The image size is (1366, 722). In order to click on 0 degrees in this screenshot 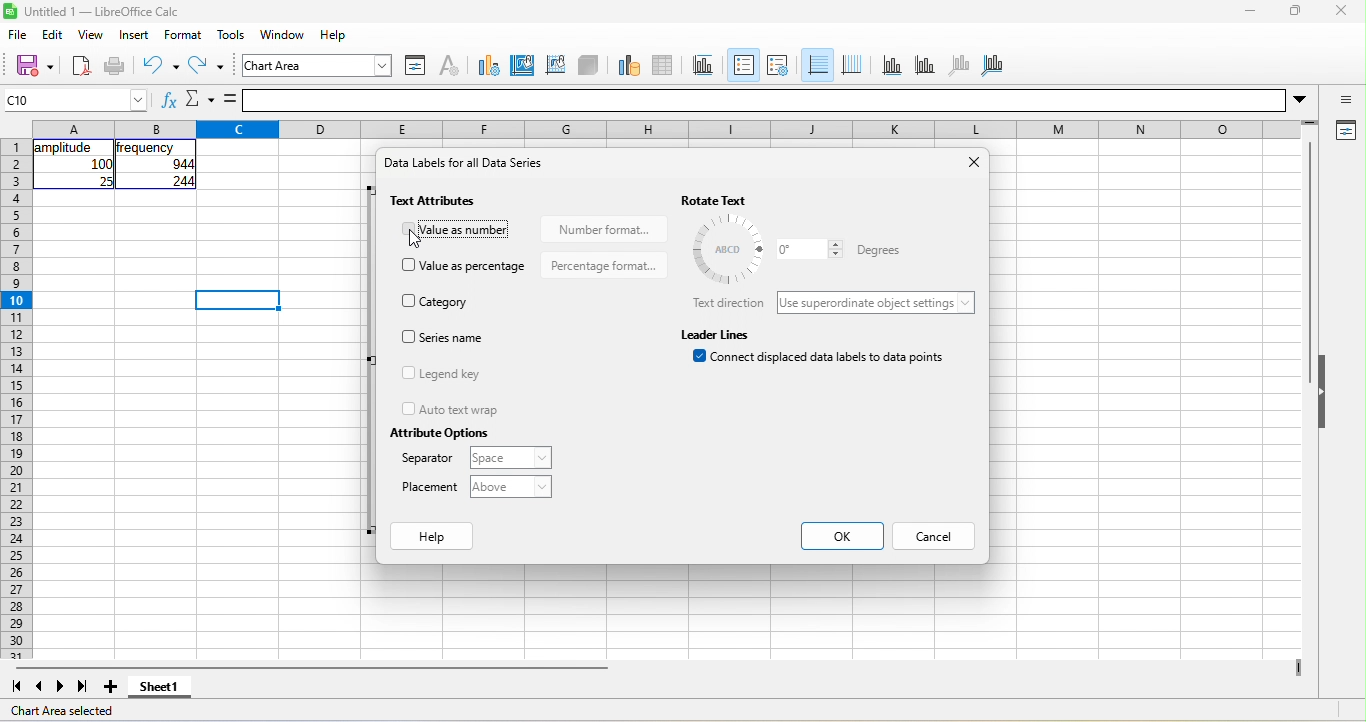, I will do `click(809, 249)`.